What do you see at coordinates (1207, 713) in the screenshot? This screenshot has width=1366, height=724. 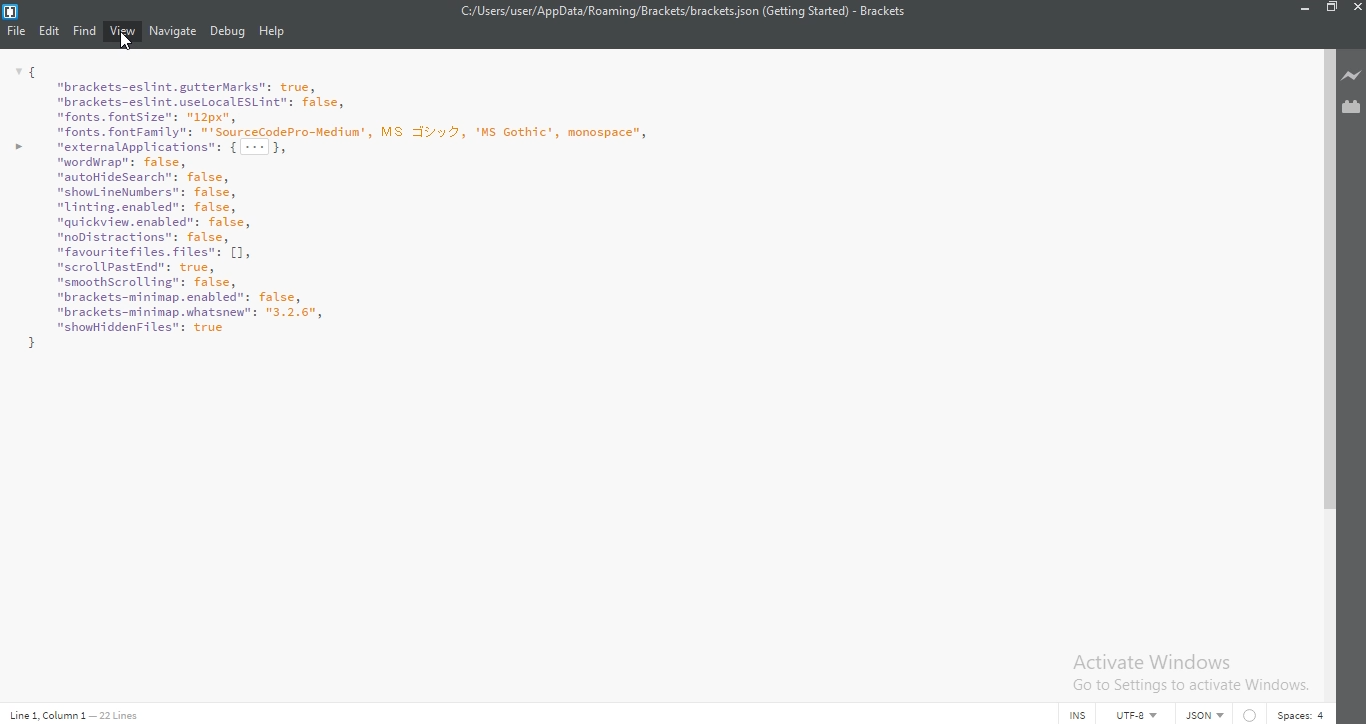 I see `json` at bounding box center [1207, 713].